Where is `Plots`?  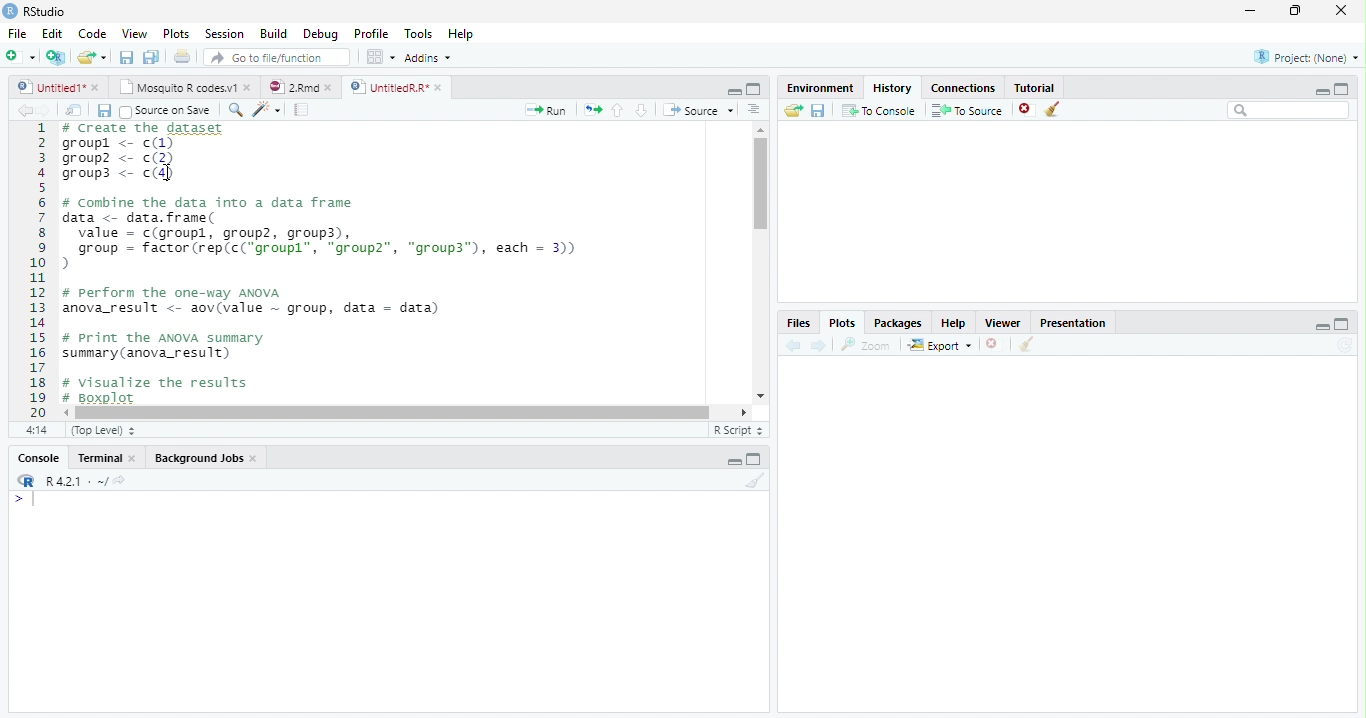 Plots is located at coordinates (841, 323).